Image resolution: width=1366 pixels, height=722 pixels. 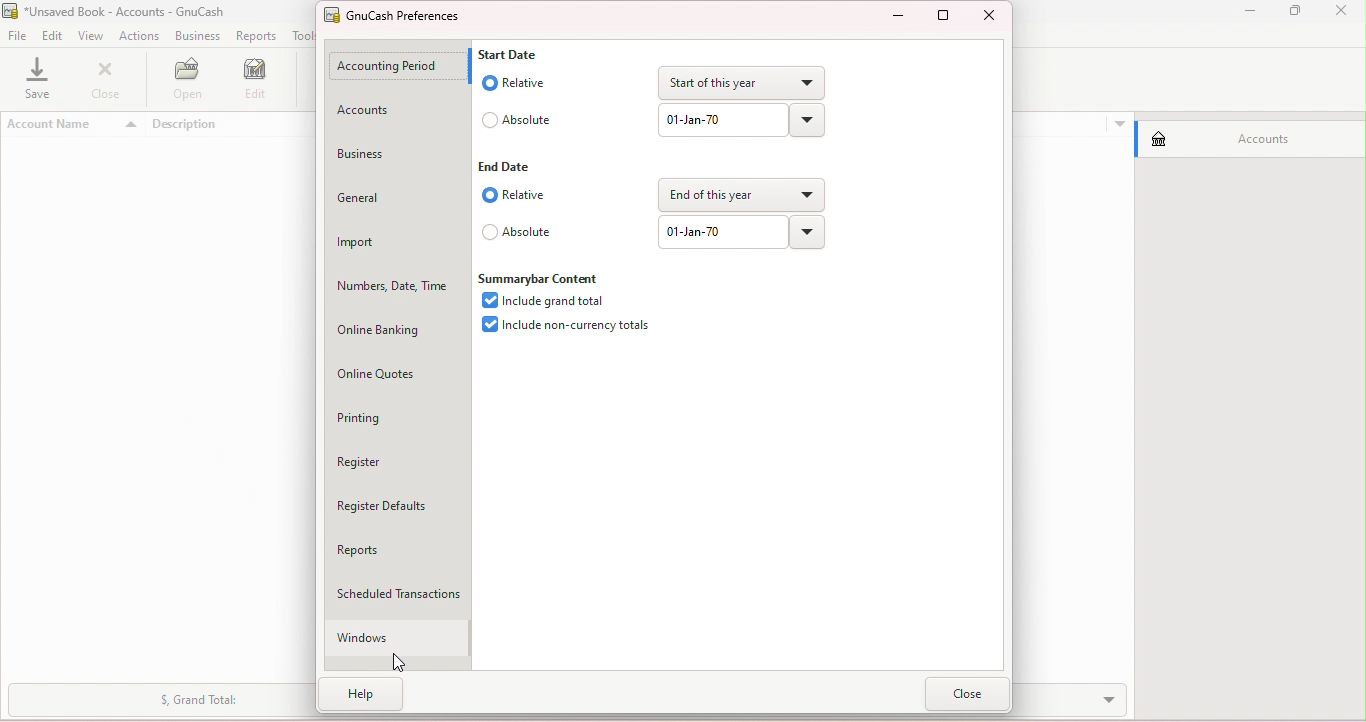 I want to click on End date, so click(x=507, y=166).